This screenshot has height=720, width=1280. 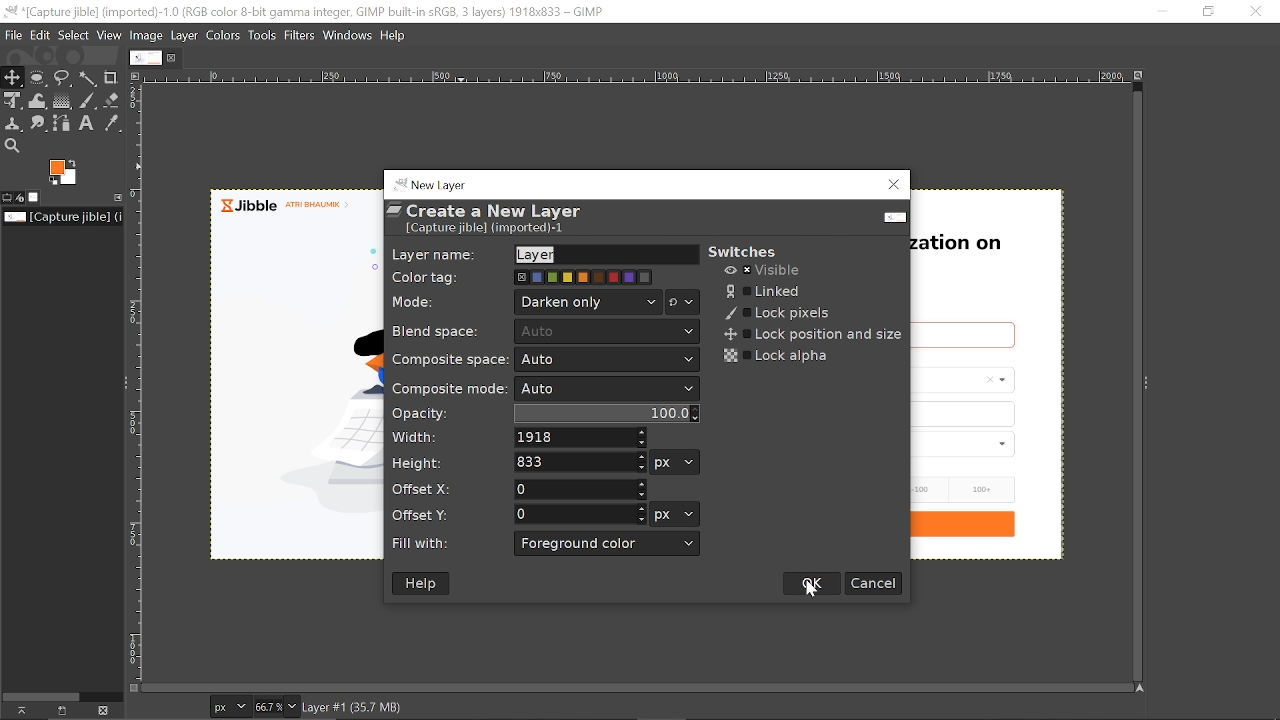 I want to click on Clone tool, so click(x=14, y=125).